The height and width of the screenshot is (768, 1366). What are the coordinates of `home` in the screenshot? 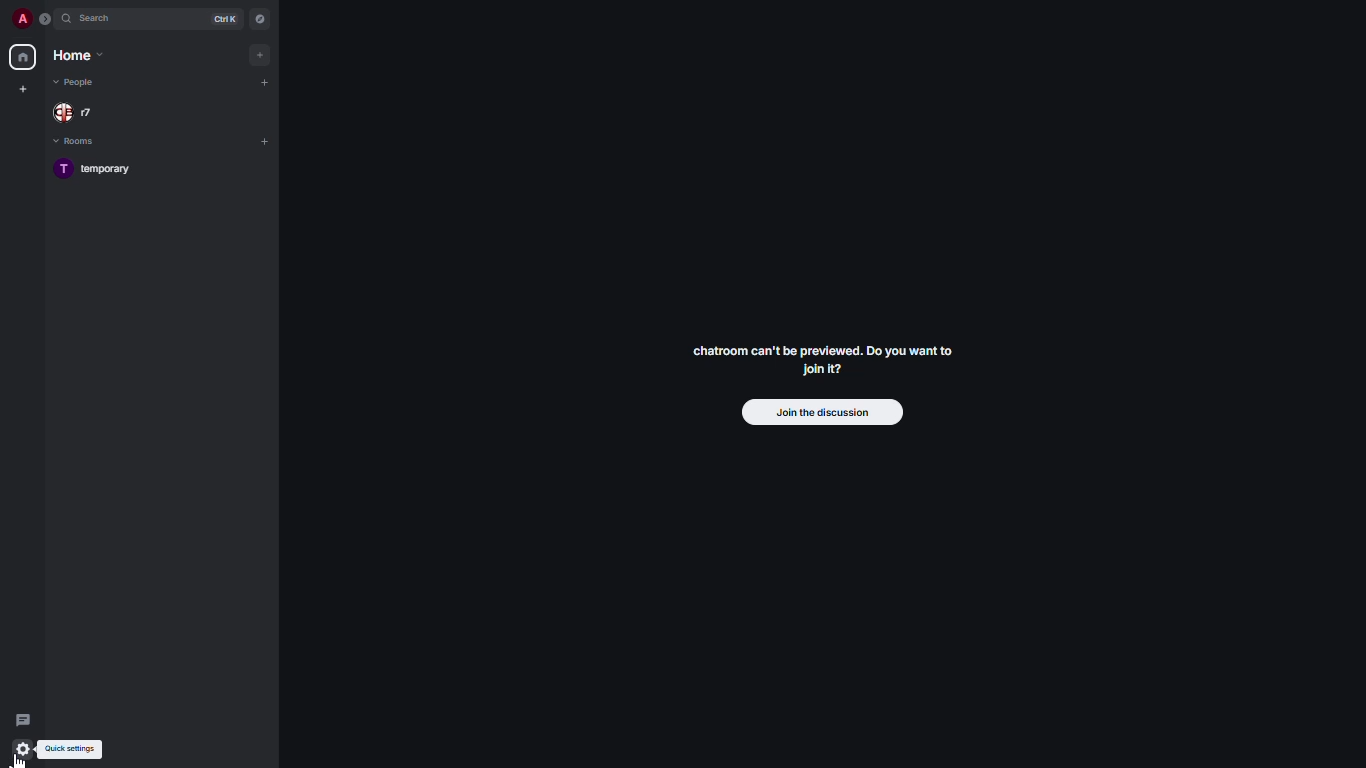 It's located at (24, 58).